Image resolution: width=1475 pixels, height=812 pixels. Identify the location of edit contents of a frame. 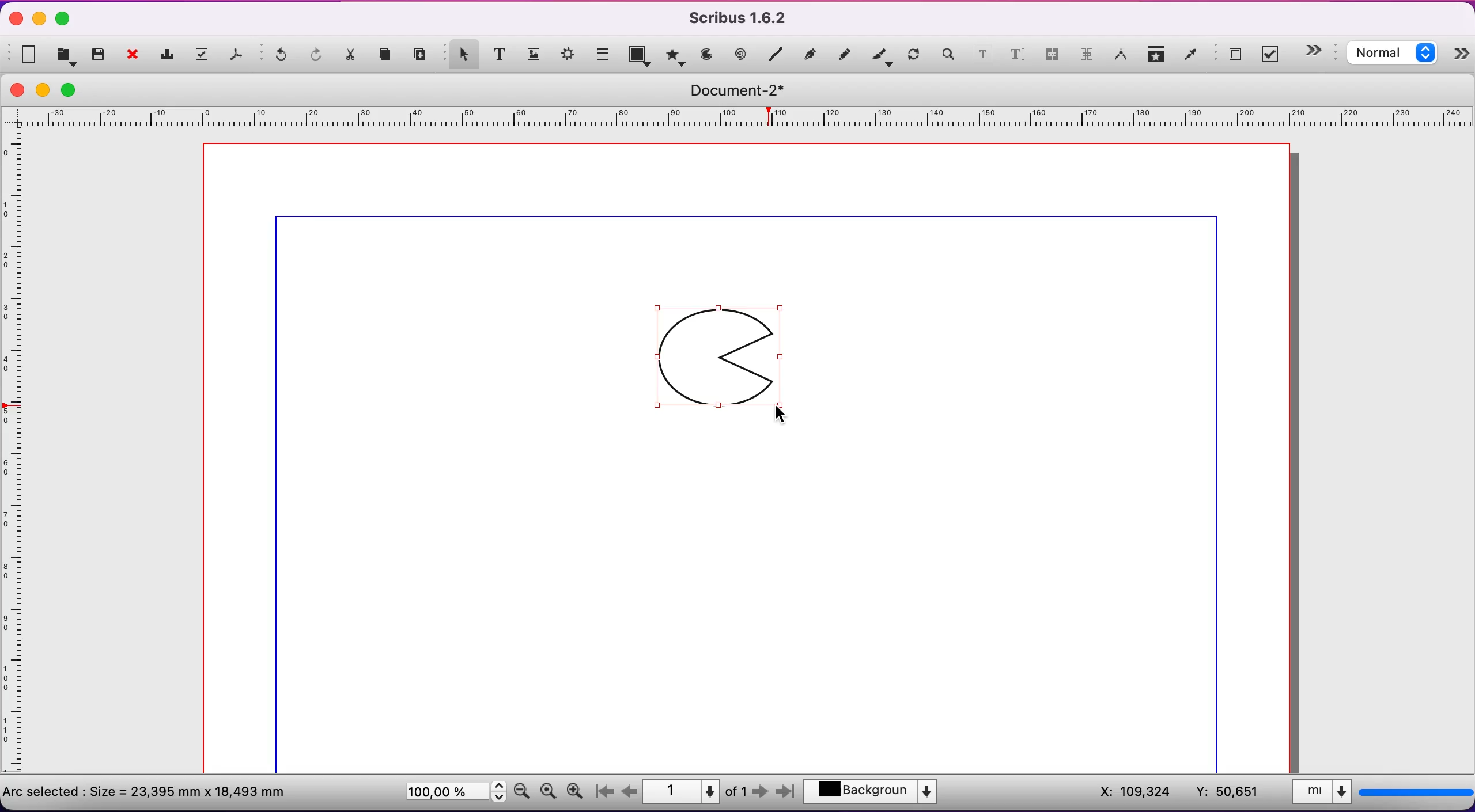
(983, 56).